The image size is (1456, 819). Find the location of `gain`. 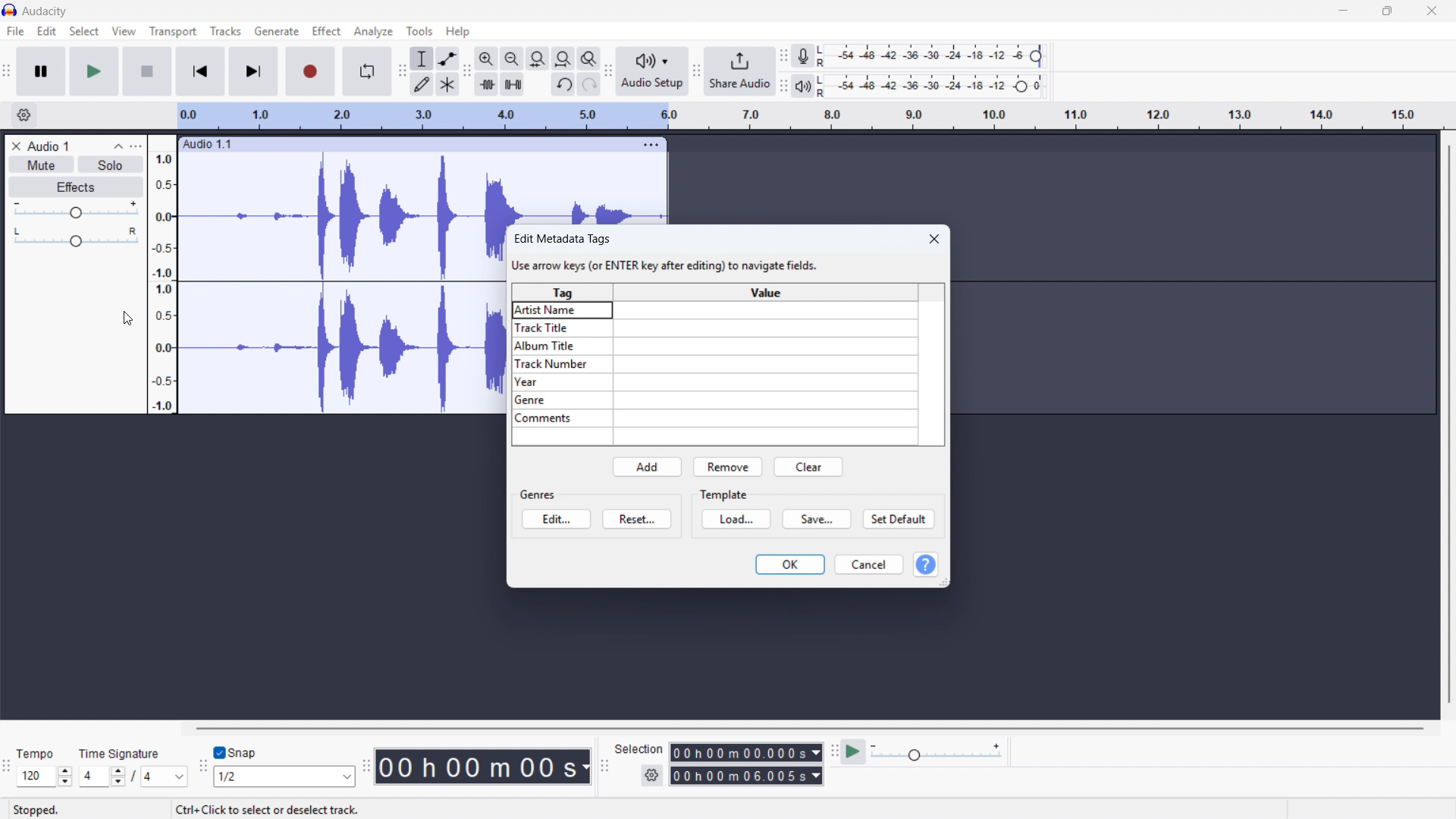

gain is located at coordinates (74, 210).